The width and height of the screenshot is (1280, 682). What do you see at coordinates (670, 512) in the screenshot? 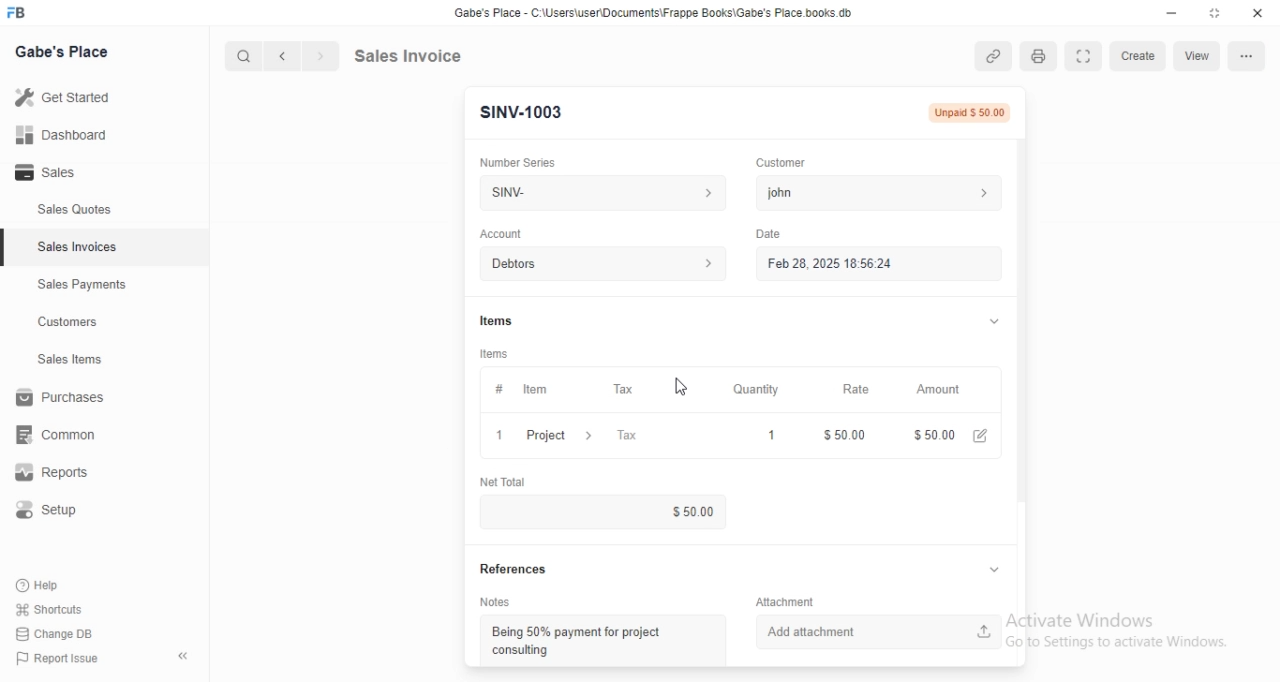
I see `$0.00` at bounding box center [670, 512].